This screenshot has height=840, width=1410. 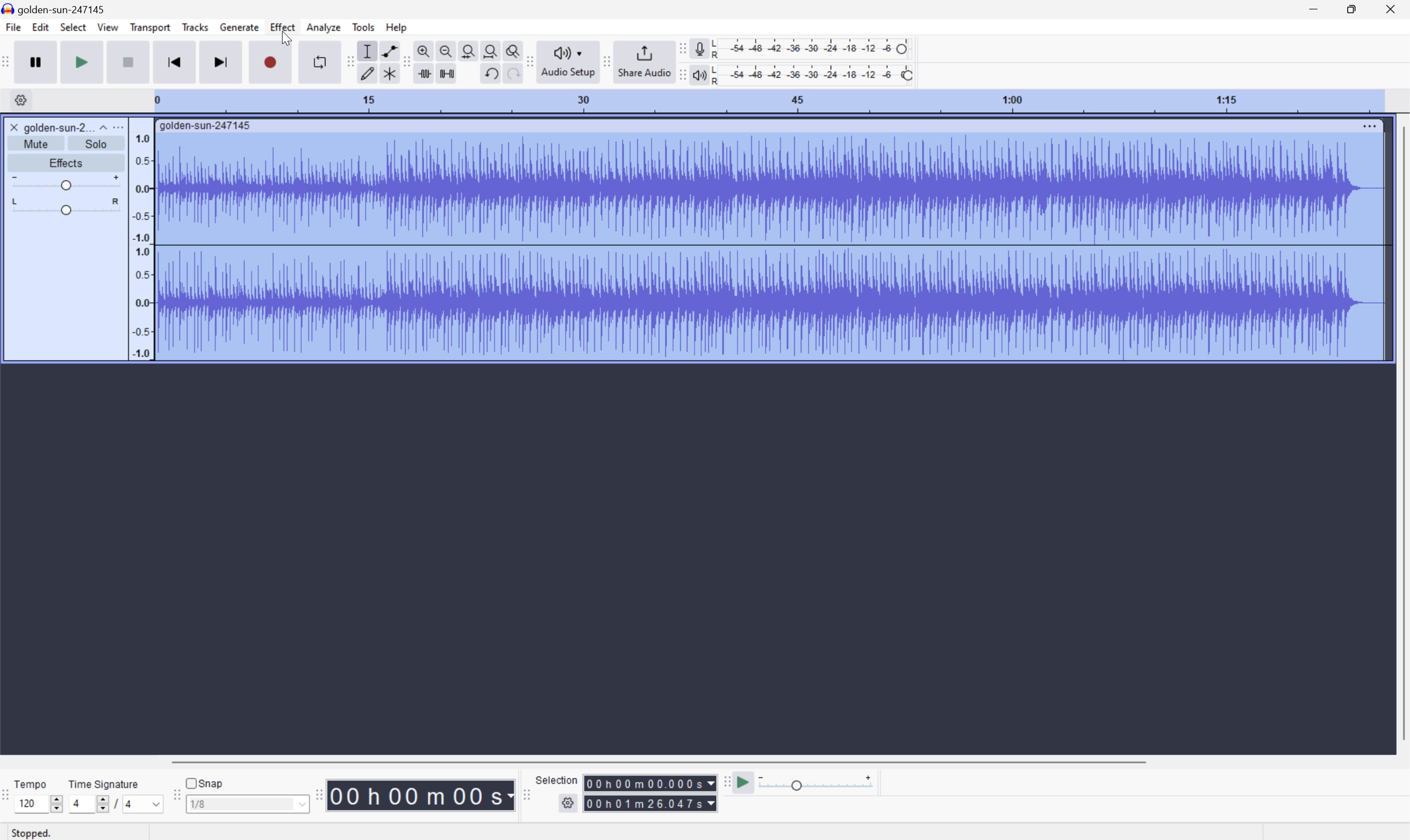 What do you see at coordinates (725, 780) in the screenshot?
I see `Audacity play at speed toolbar` at bounding box center [725, 780].